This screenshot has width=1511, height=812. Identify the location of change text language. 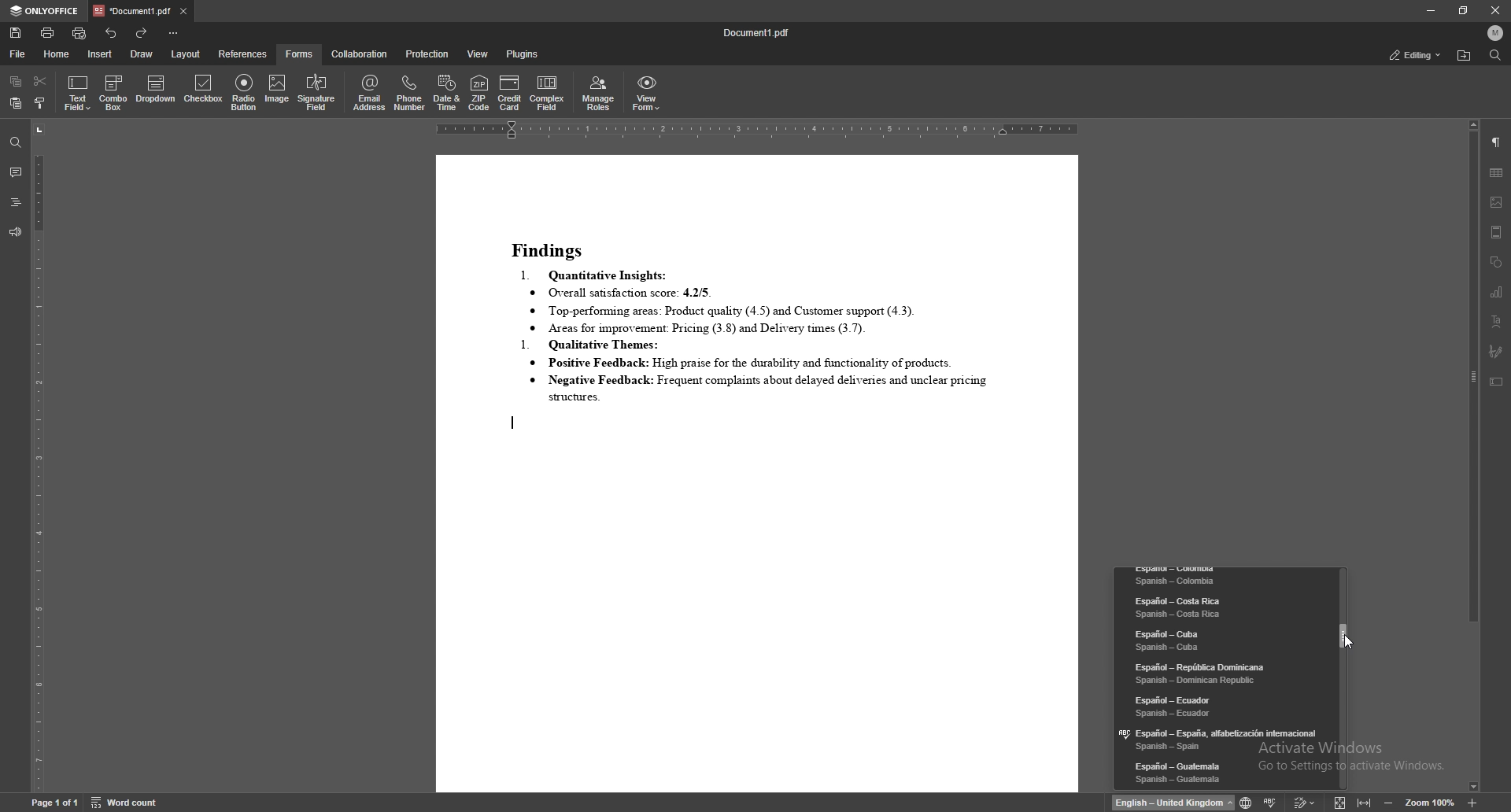
(1243, 800).